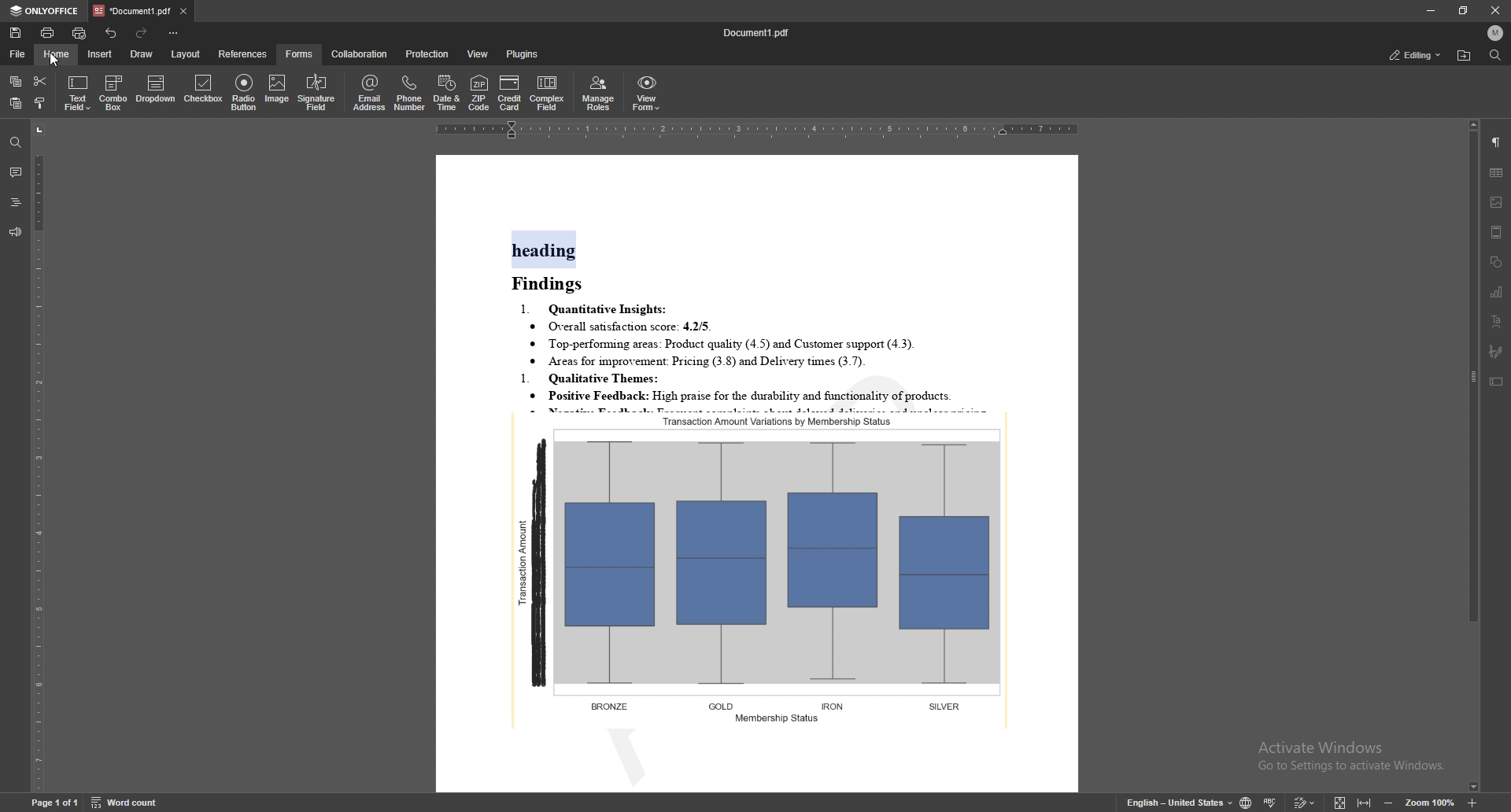  Describe the element at coordinates (1495, 33) in the screenshot. I see `profile` at that location.